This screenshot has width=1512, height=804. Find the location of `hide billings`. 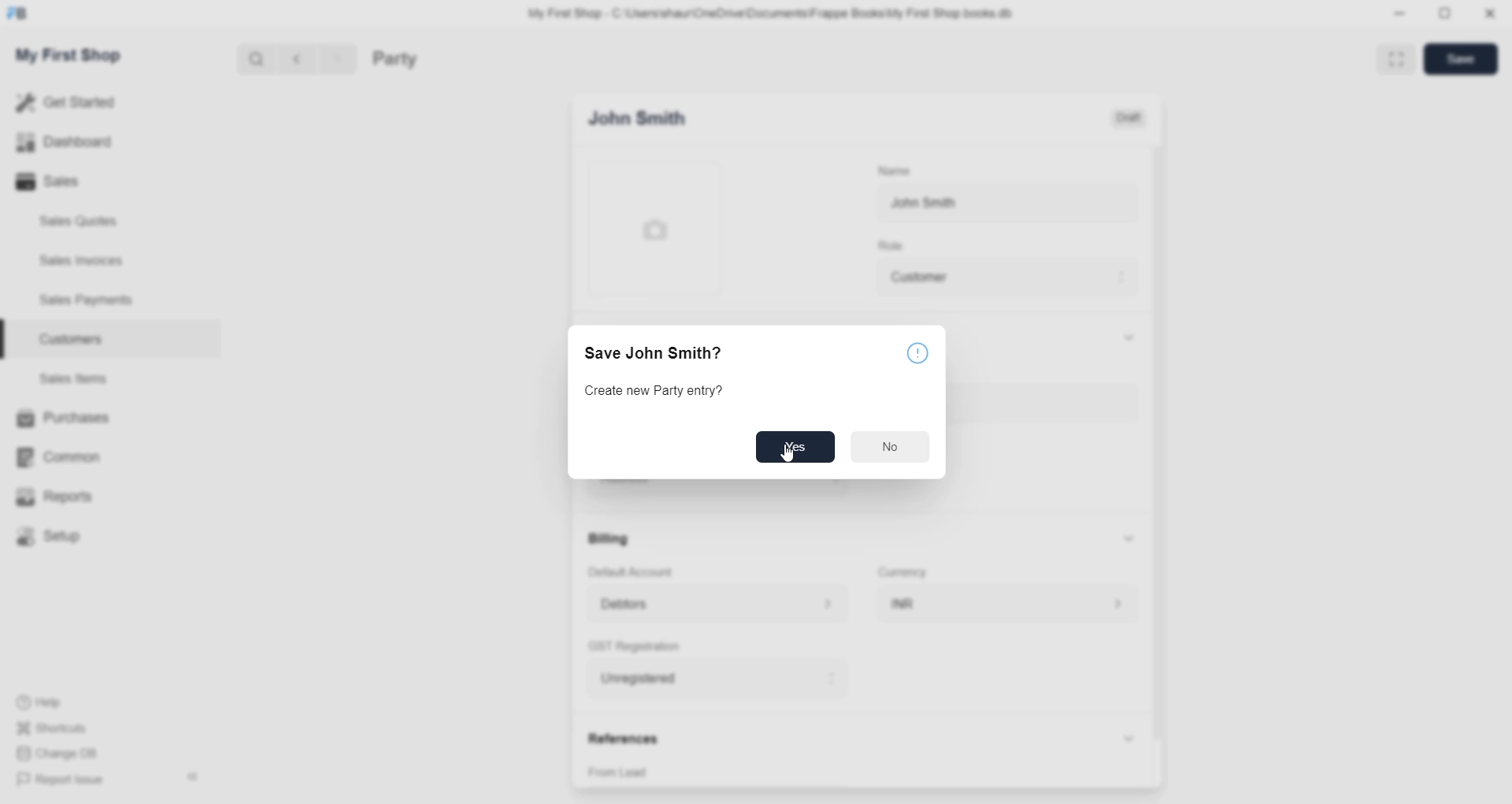

hide billings is located at coordinates (1128, 538).